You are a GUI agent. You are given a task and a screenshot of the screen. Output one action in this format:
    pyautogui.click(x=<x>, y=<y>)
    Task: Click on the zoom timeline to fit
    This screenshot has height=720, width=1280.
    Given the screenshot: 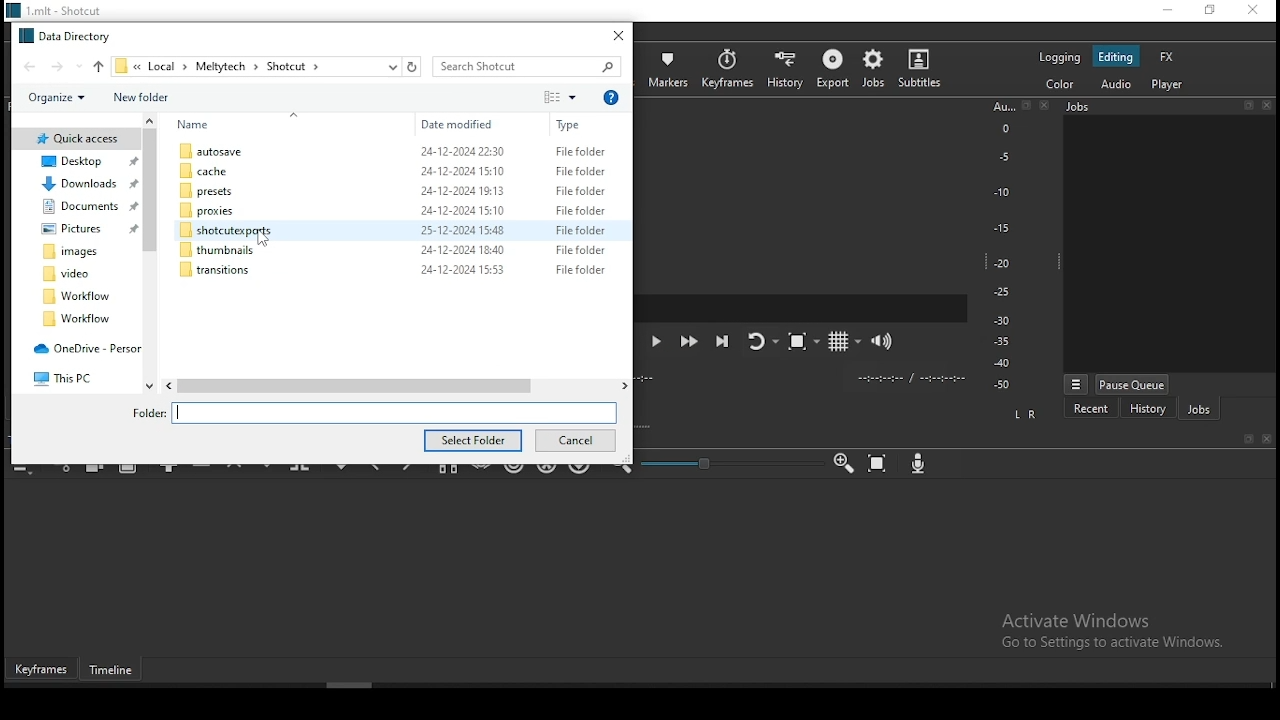 What is the action you would take?
    pyautogui.click(x=879, y=463)
    